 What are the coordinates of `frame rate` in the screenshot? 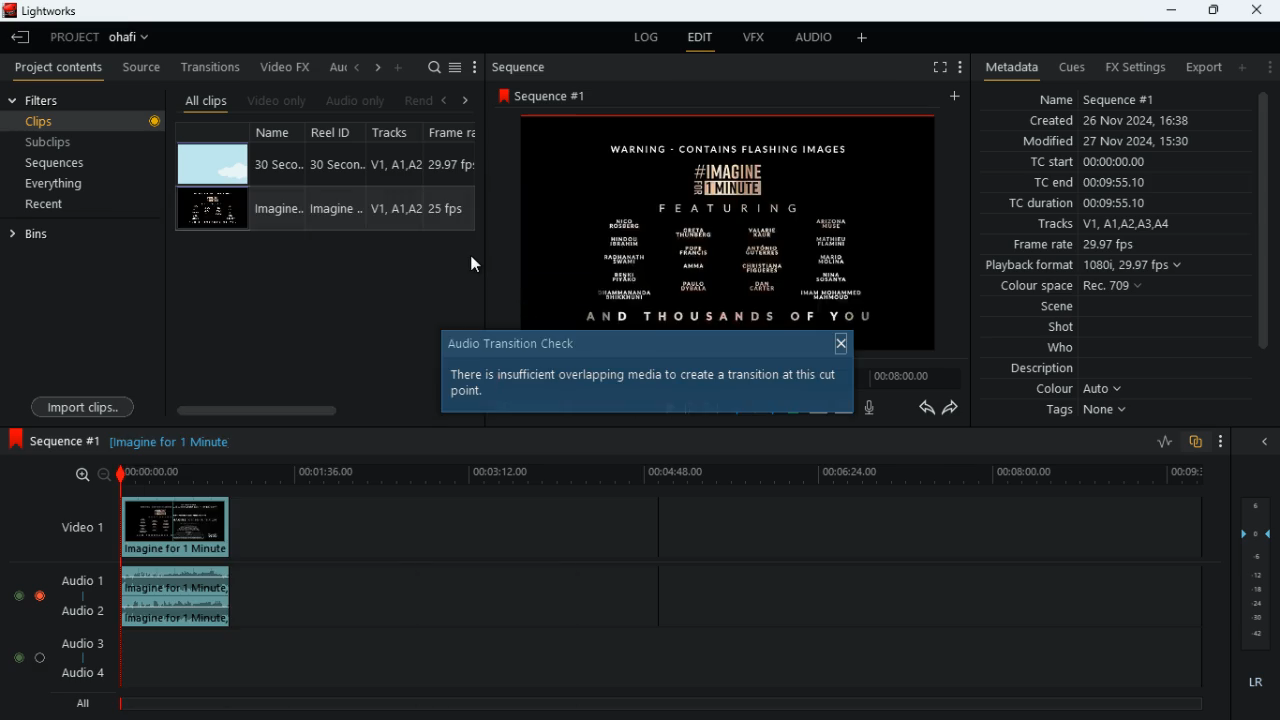 It's located at (1104, 245).